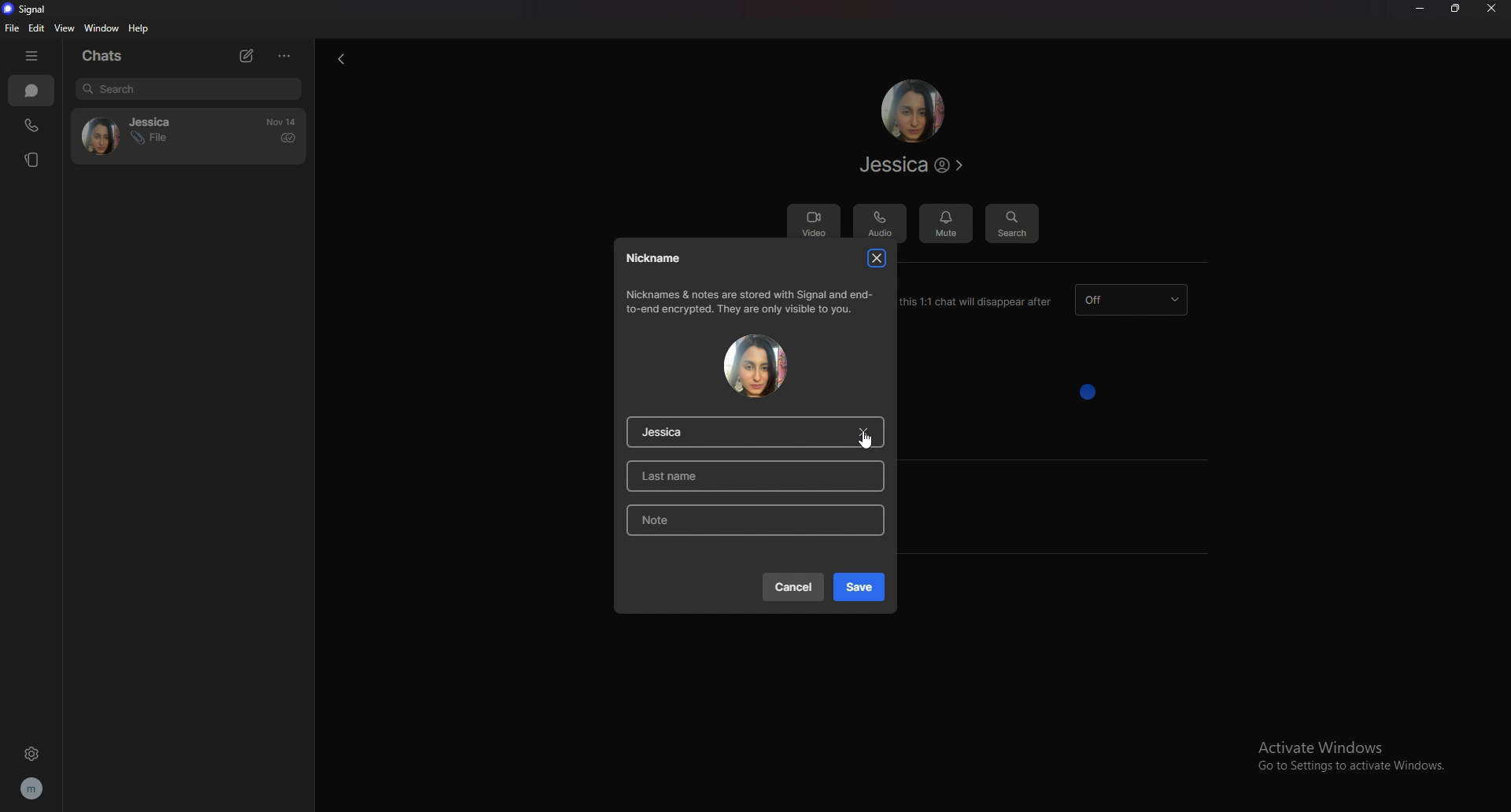 This screenshot has height=812, width=1511. Describe the element at coordinates (26, 9) in the screenshot. I see `signal` at that location.